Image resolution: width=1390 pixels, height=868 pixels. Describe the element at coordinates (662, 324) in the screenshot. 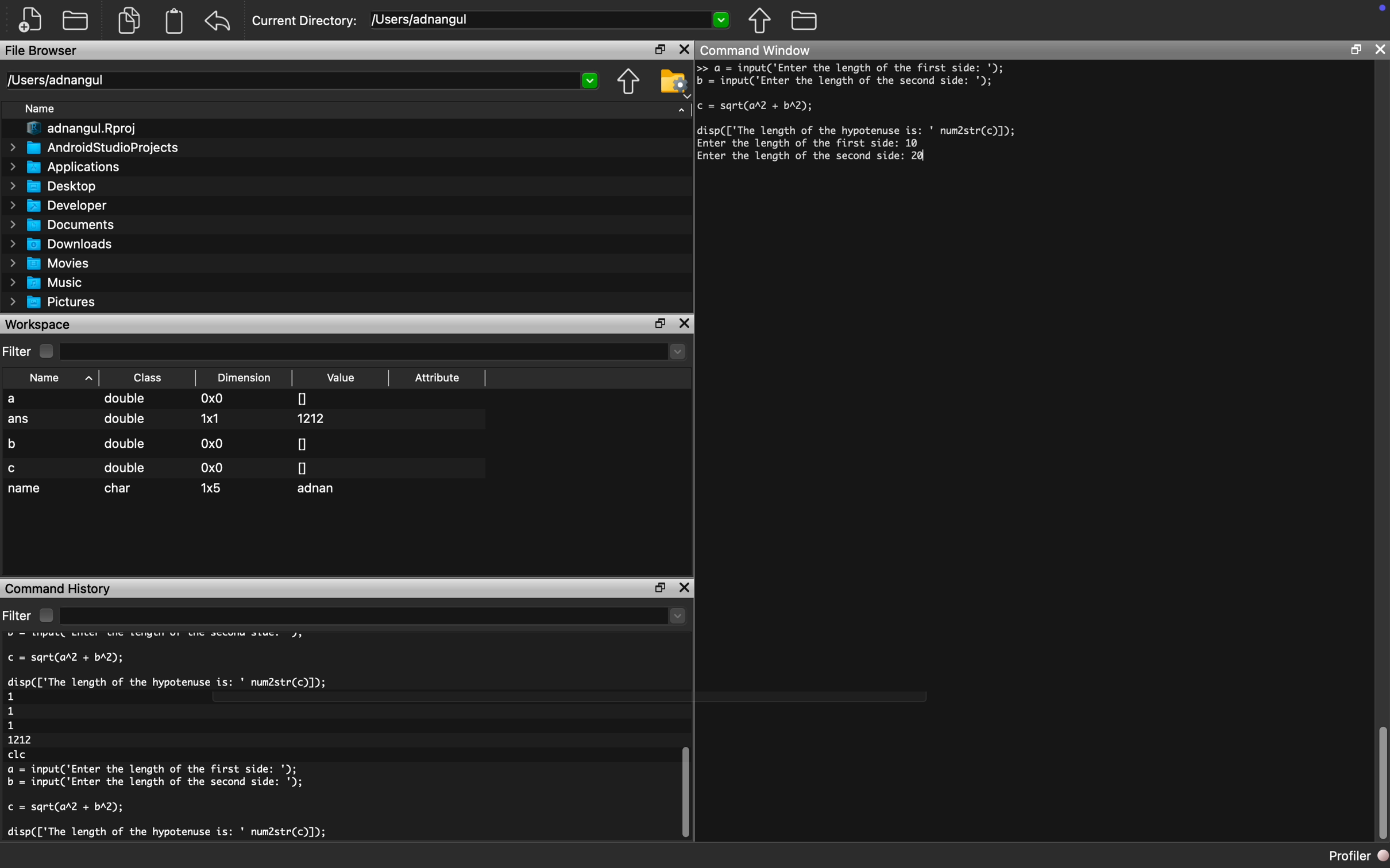

I see `restore down` at that location.